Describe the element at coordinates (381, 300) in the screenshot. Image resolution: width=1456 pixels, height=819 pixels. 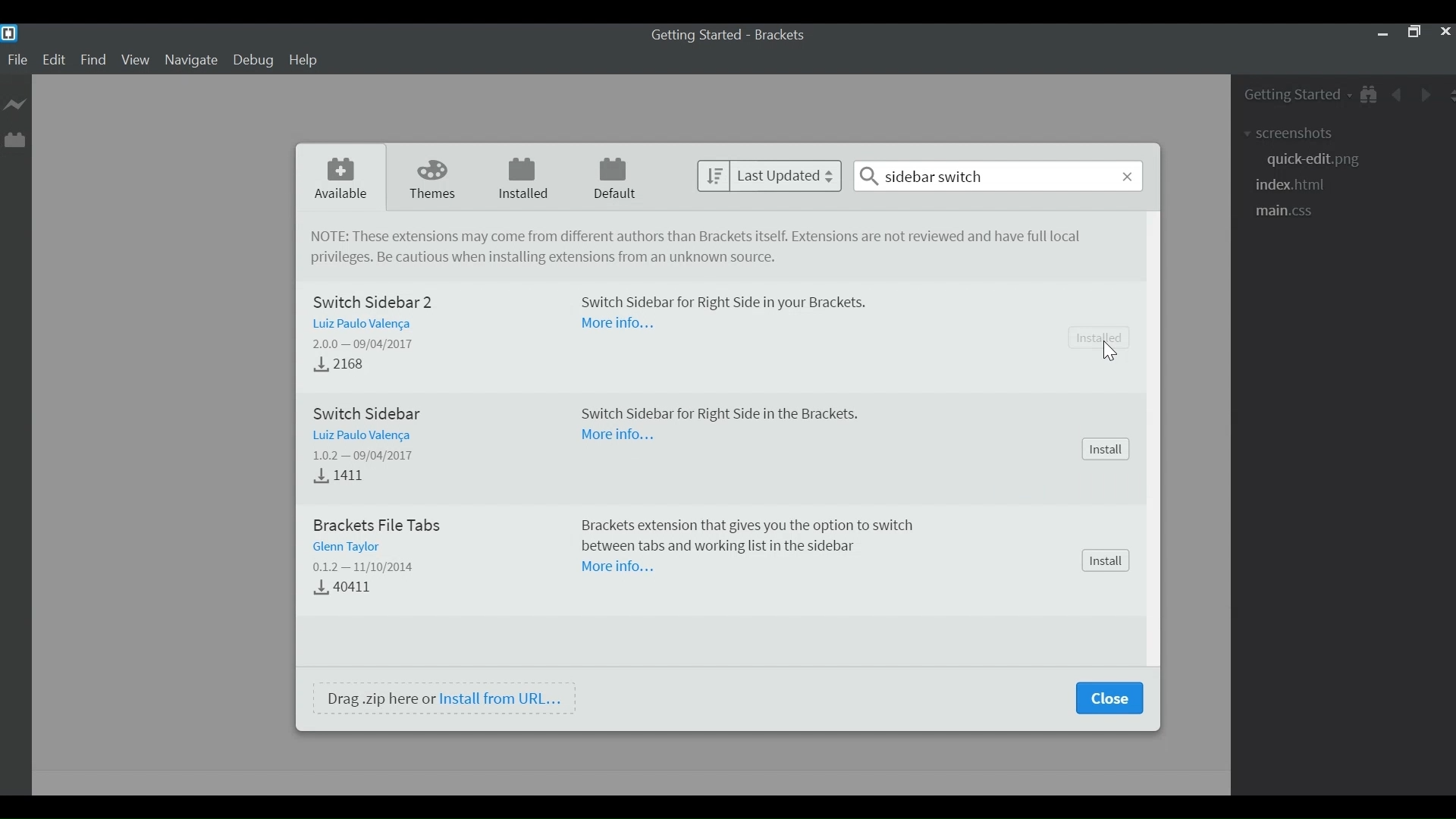
I see `Switch Sidebar 2` at that location.